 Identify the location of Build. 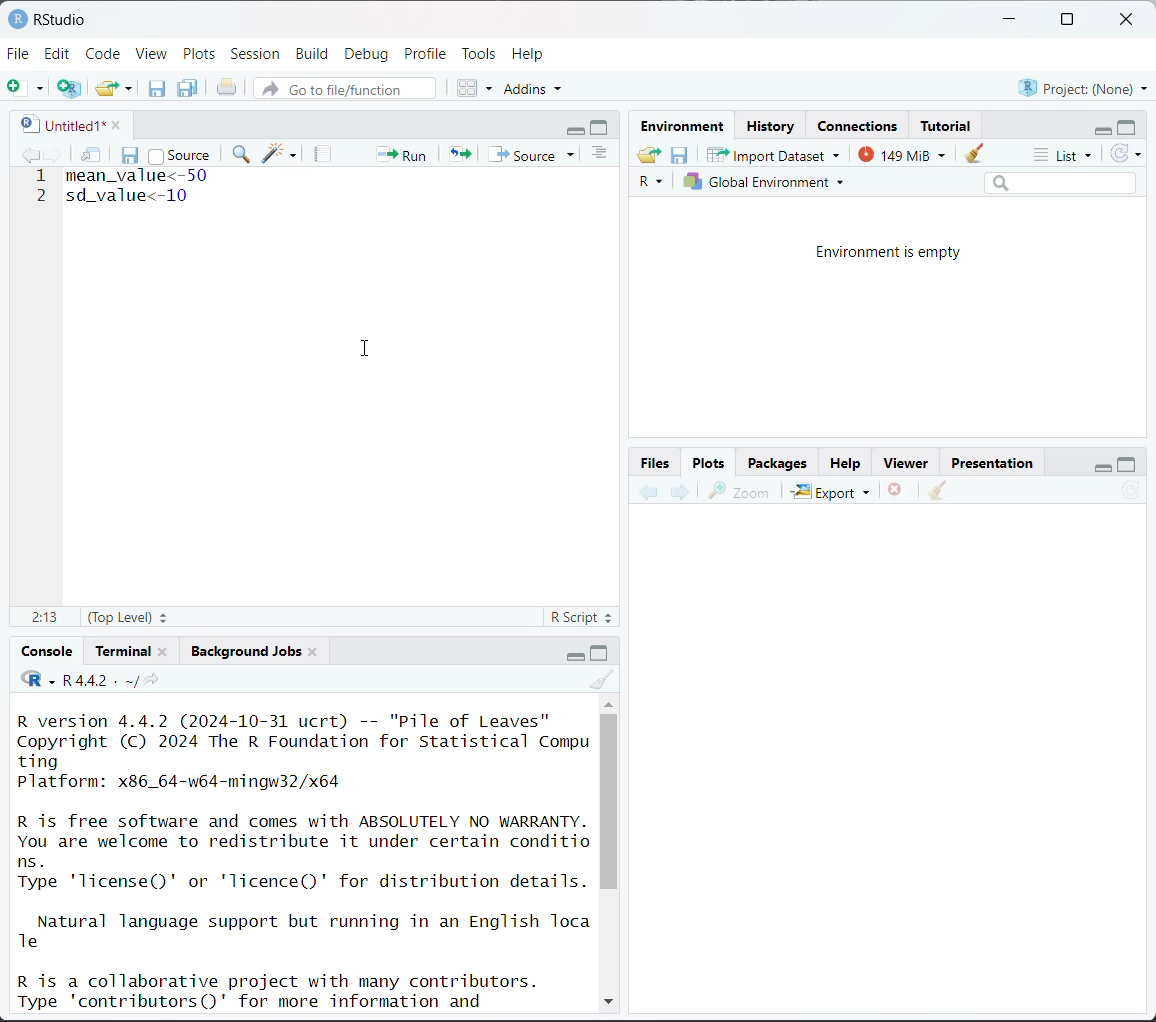
(315, 54).